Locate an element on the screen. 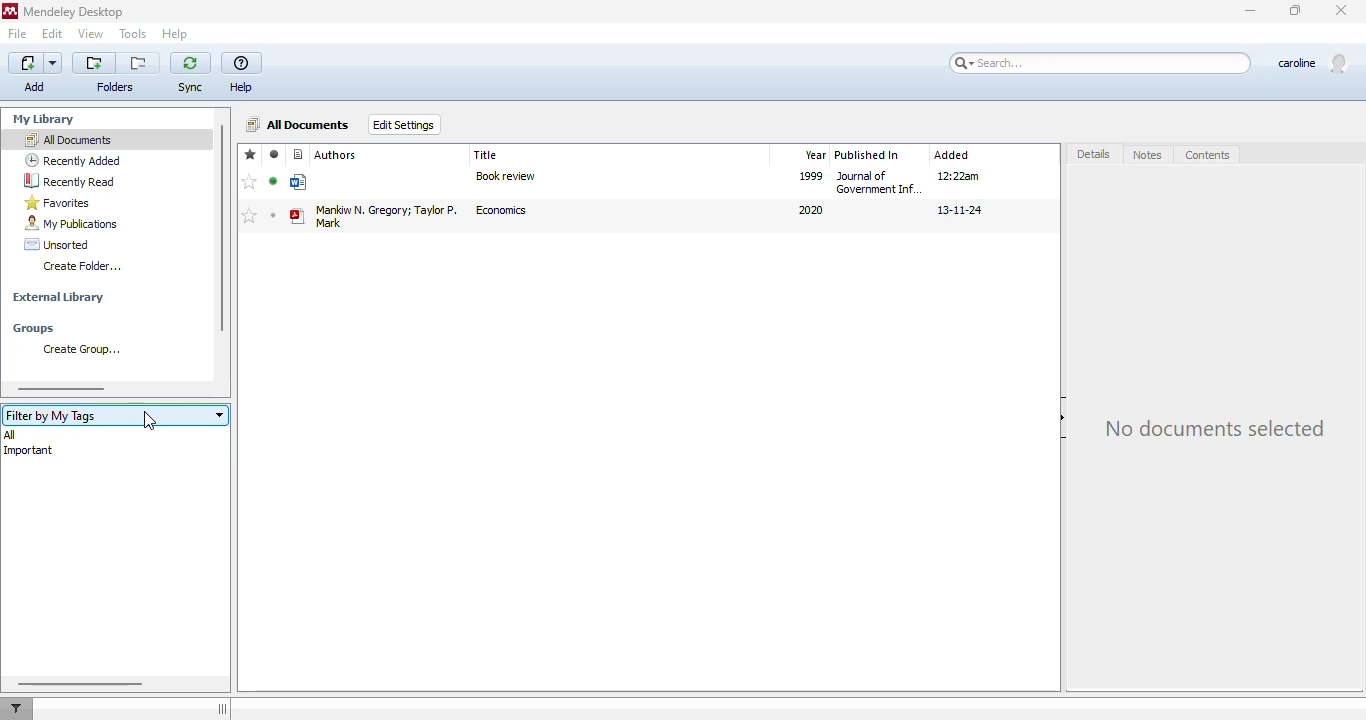  Mankiw N. Gregory Taylor P. Mark is located at coordinates (386, 215).